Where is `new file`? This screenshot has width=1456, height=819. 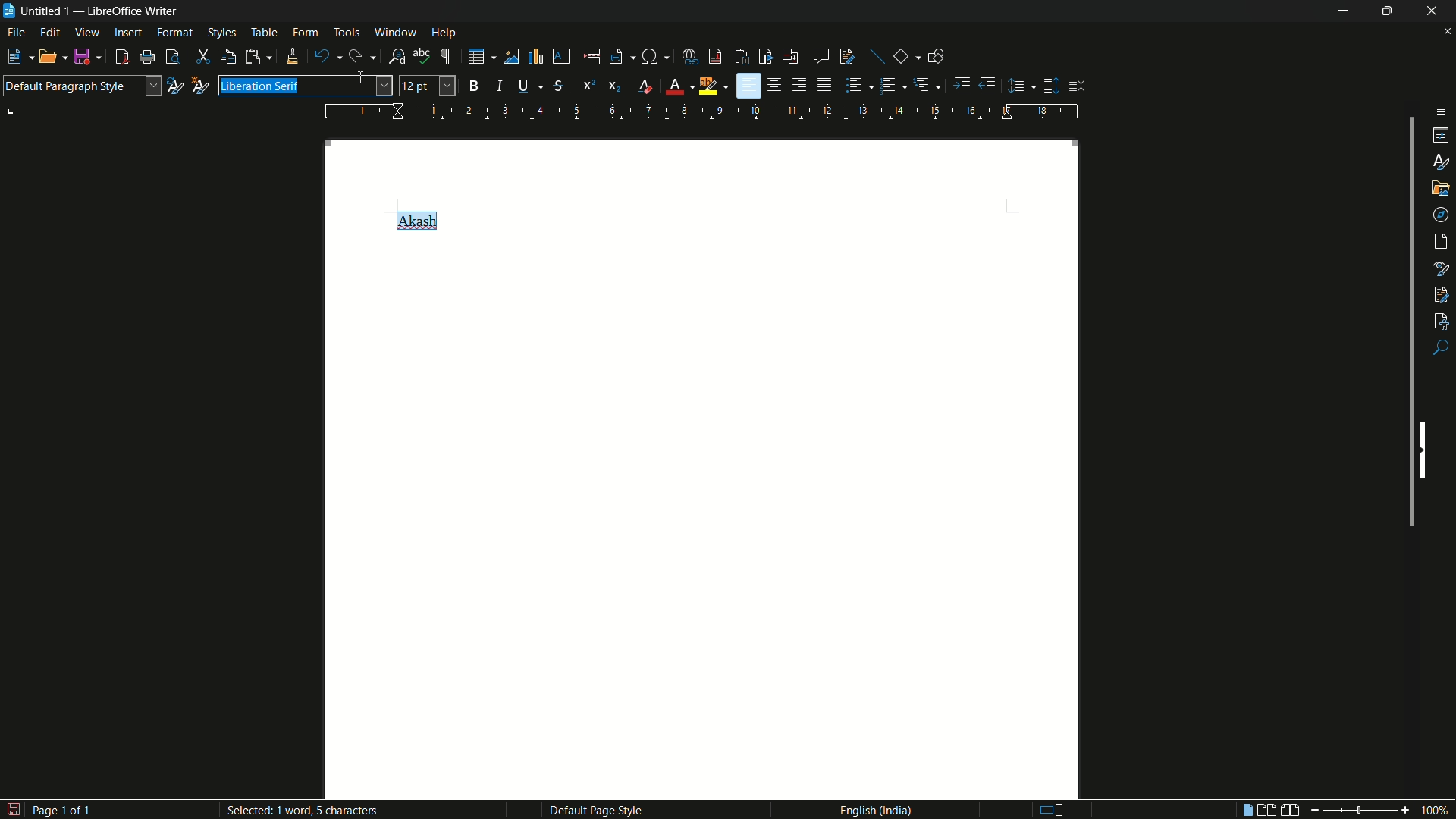 new file is located at coordinates (14, 57).